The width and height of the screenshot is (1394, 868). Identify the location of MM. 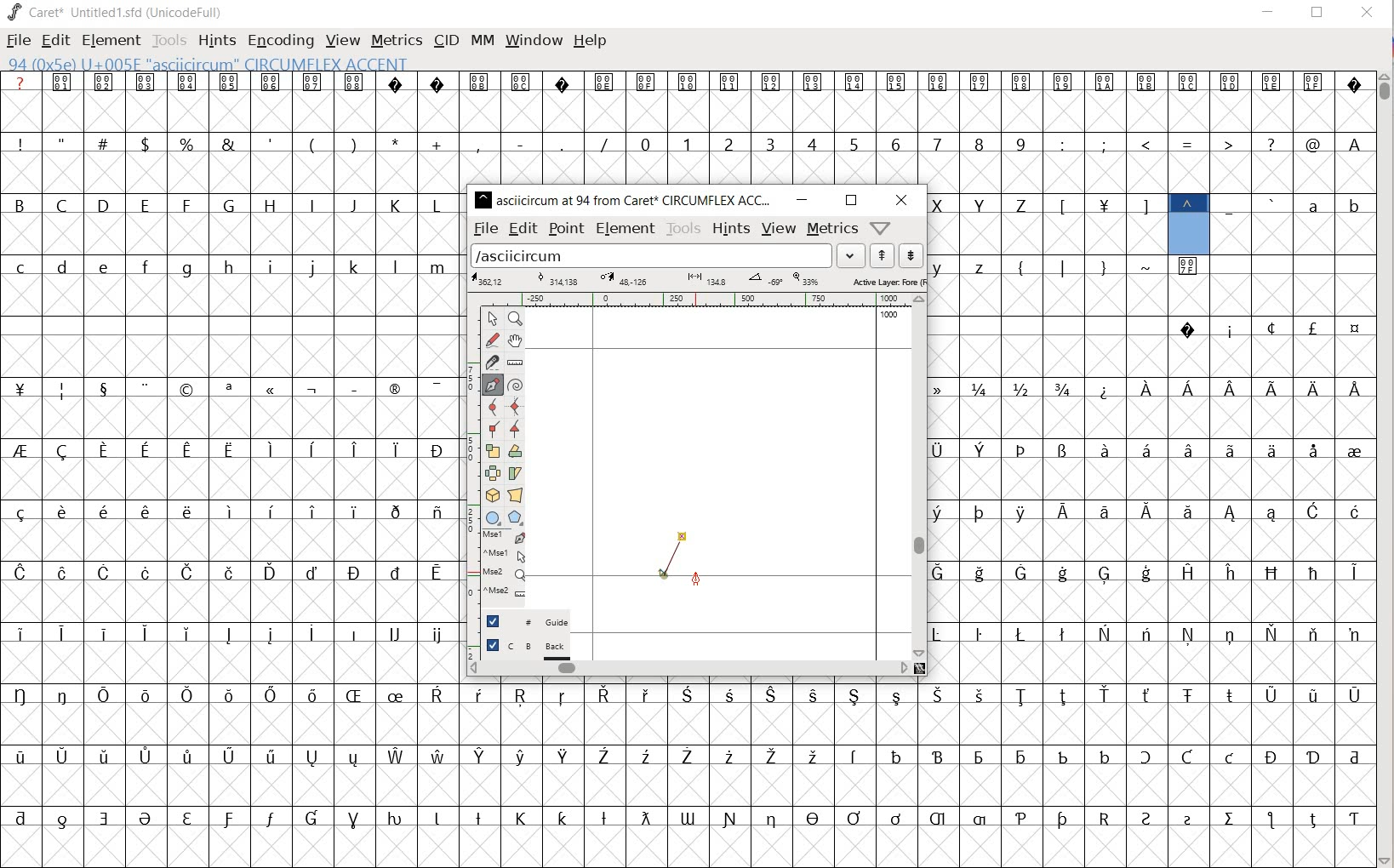
(479, 40).